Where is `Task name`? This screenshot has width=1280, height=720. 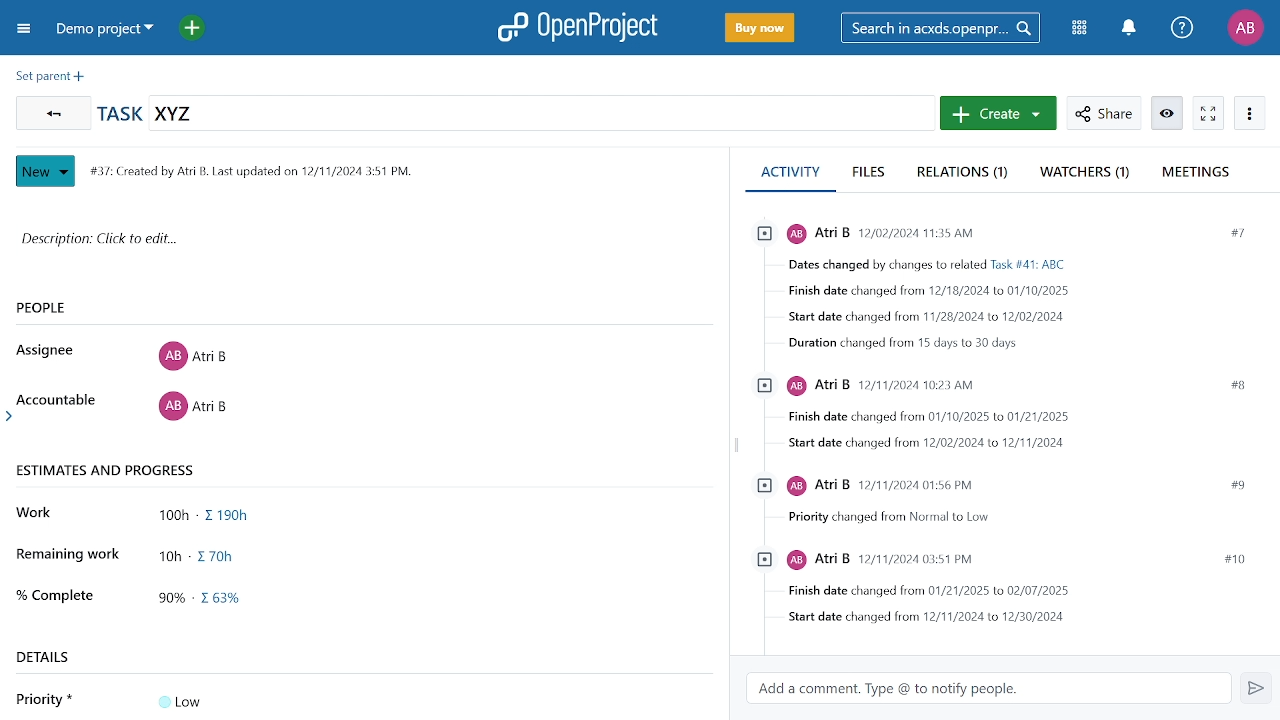
Task name is located at coordinates (166, 116).